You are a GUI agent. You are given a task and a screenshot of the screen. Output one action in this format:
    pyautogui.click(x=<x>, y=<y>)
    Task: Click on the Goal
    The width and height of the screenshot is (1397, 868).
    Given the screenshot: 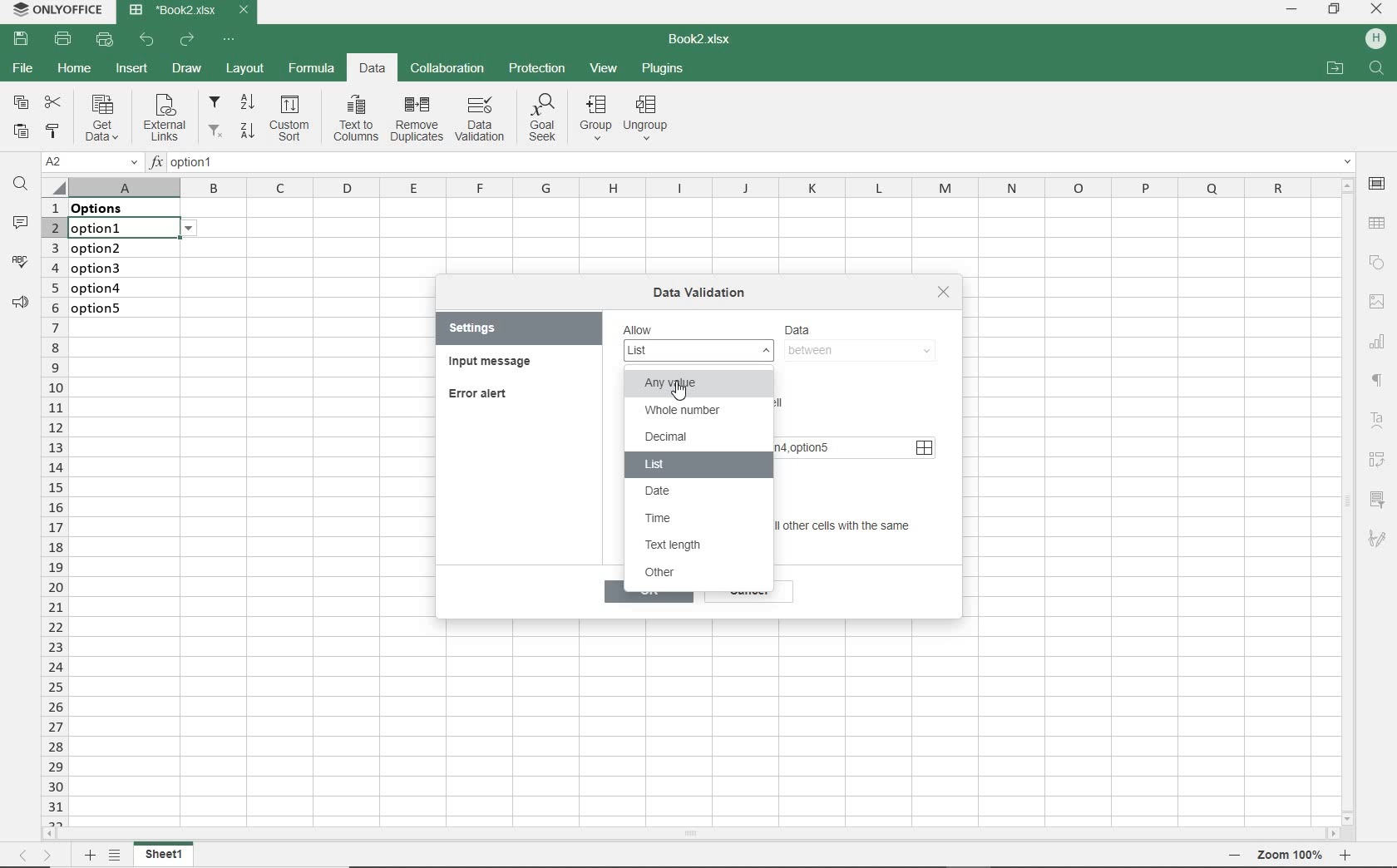 What is the action you would take?
    pyautogui.click(x=540, y=121)
    